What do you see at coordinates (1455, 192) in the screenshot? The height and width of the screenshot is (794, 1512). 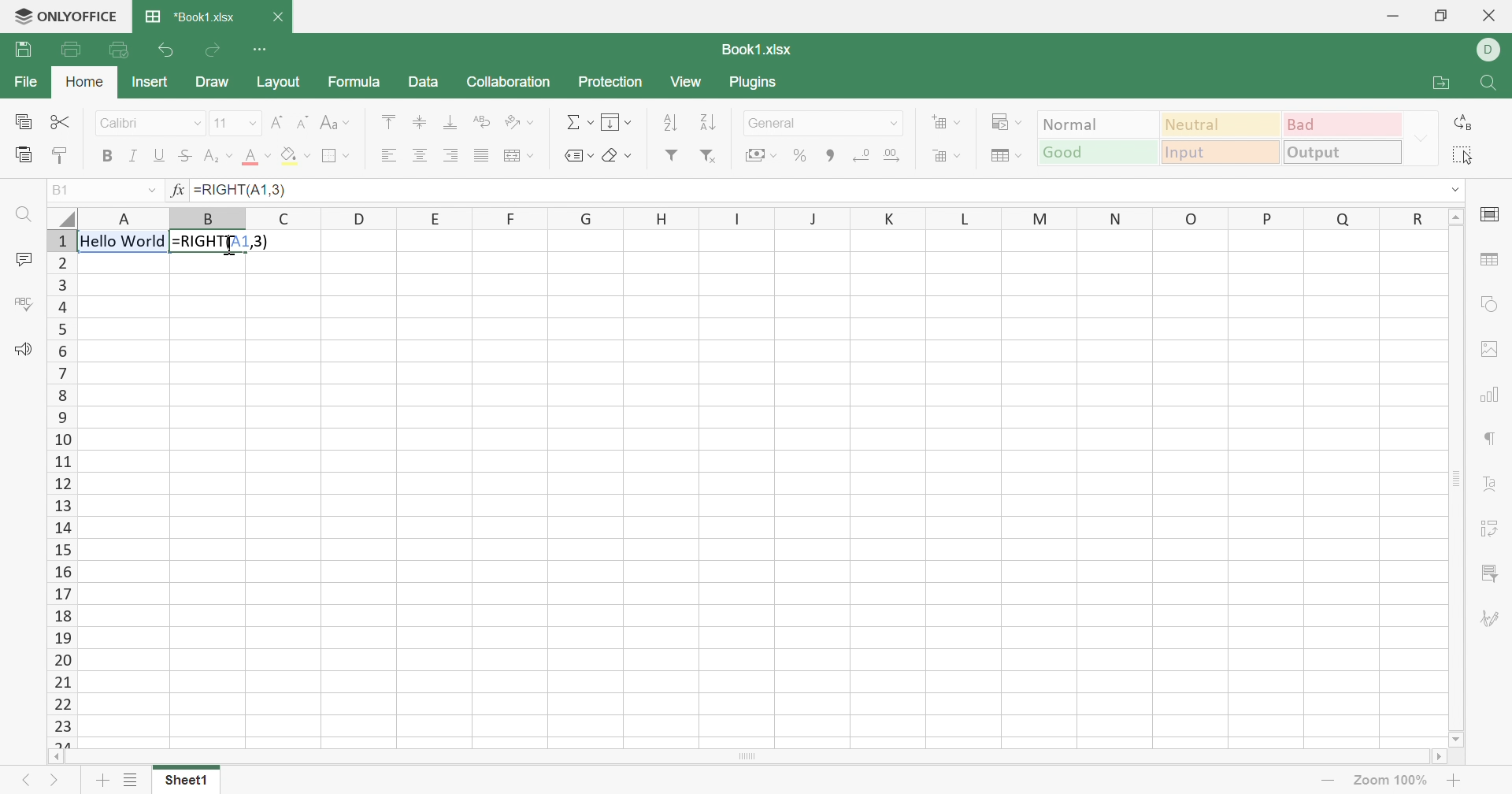 I see `Drop down` at bounding box center [1455, 192].